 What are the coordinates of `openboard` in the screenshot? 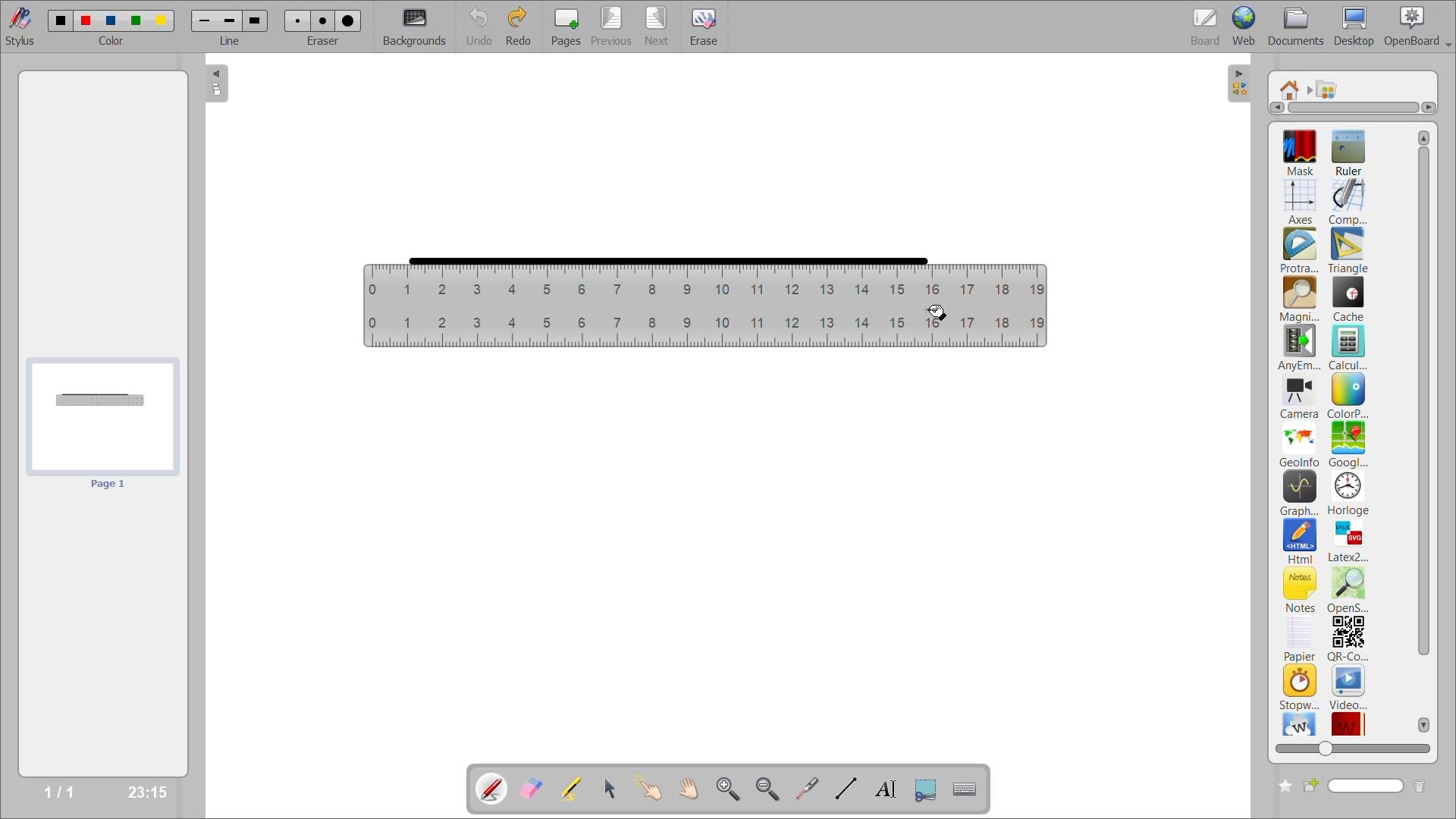 It's located at (1420, 27).